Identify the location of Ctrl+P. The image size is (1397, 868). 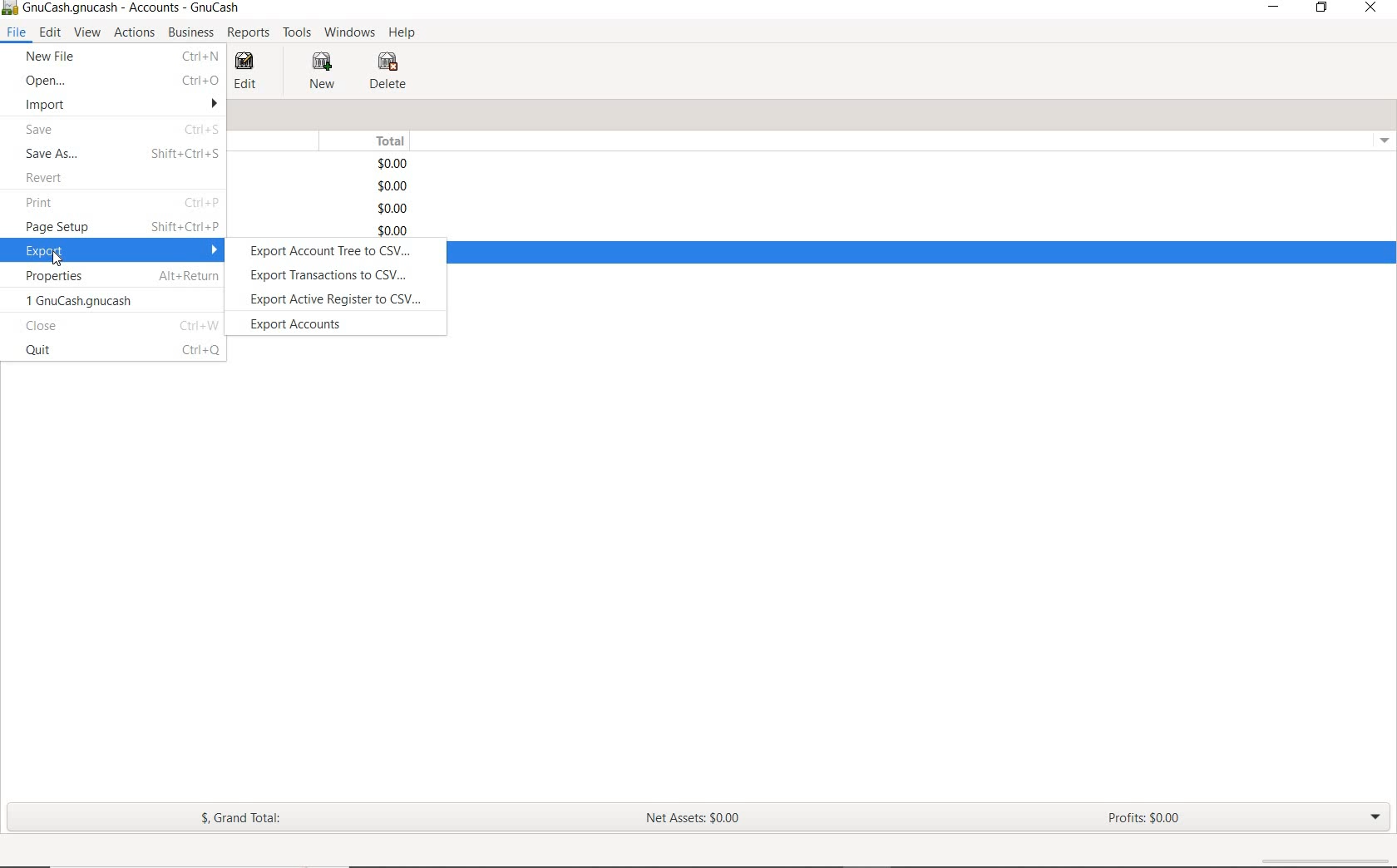
(203, 204).